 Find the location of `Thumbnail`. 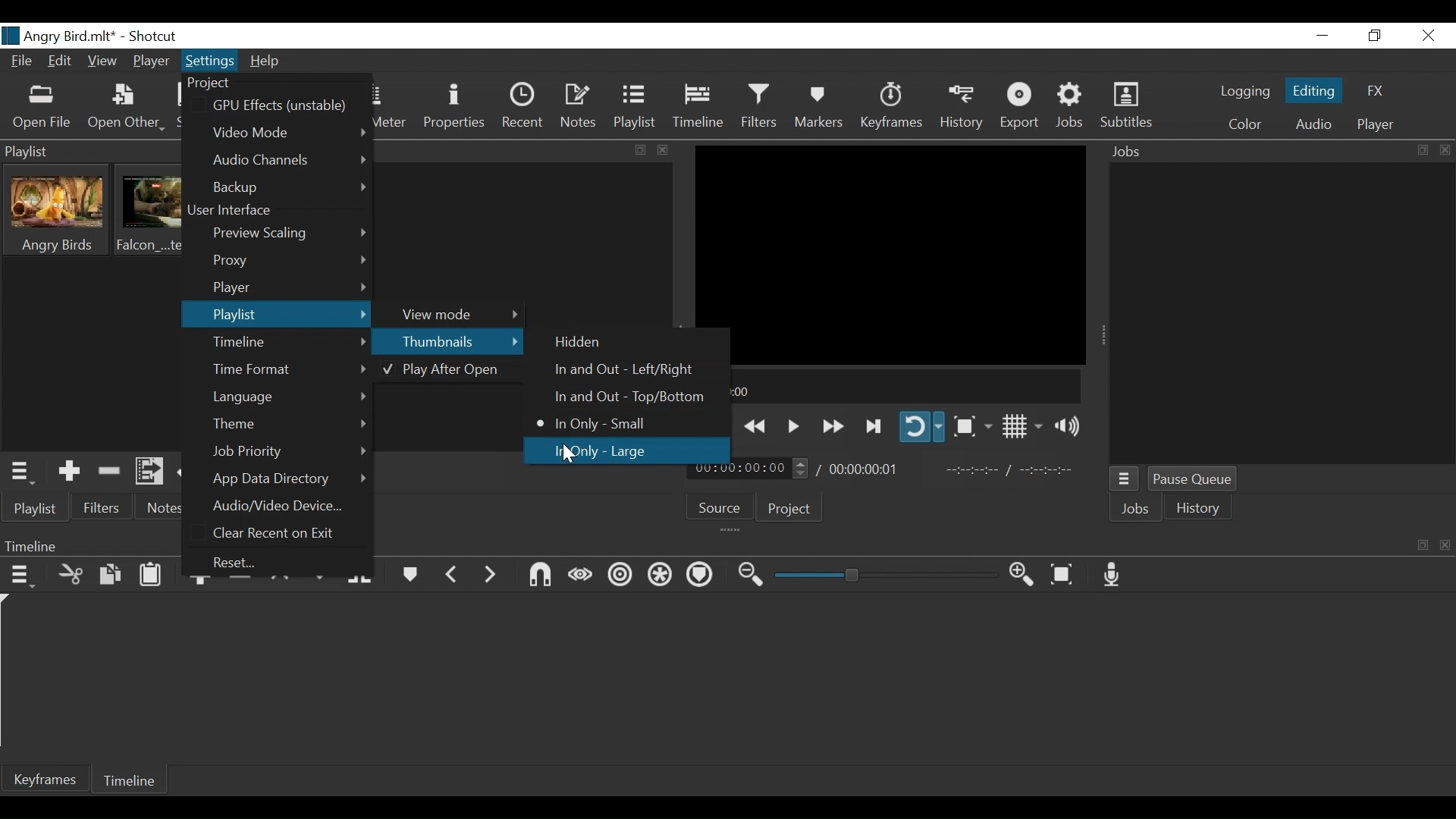

Thumbnail is located at coordinates (447, 340).